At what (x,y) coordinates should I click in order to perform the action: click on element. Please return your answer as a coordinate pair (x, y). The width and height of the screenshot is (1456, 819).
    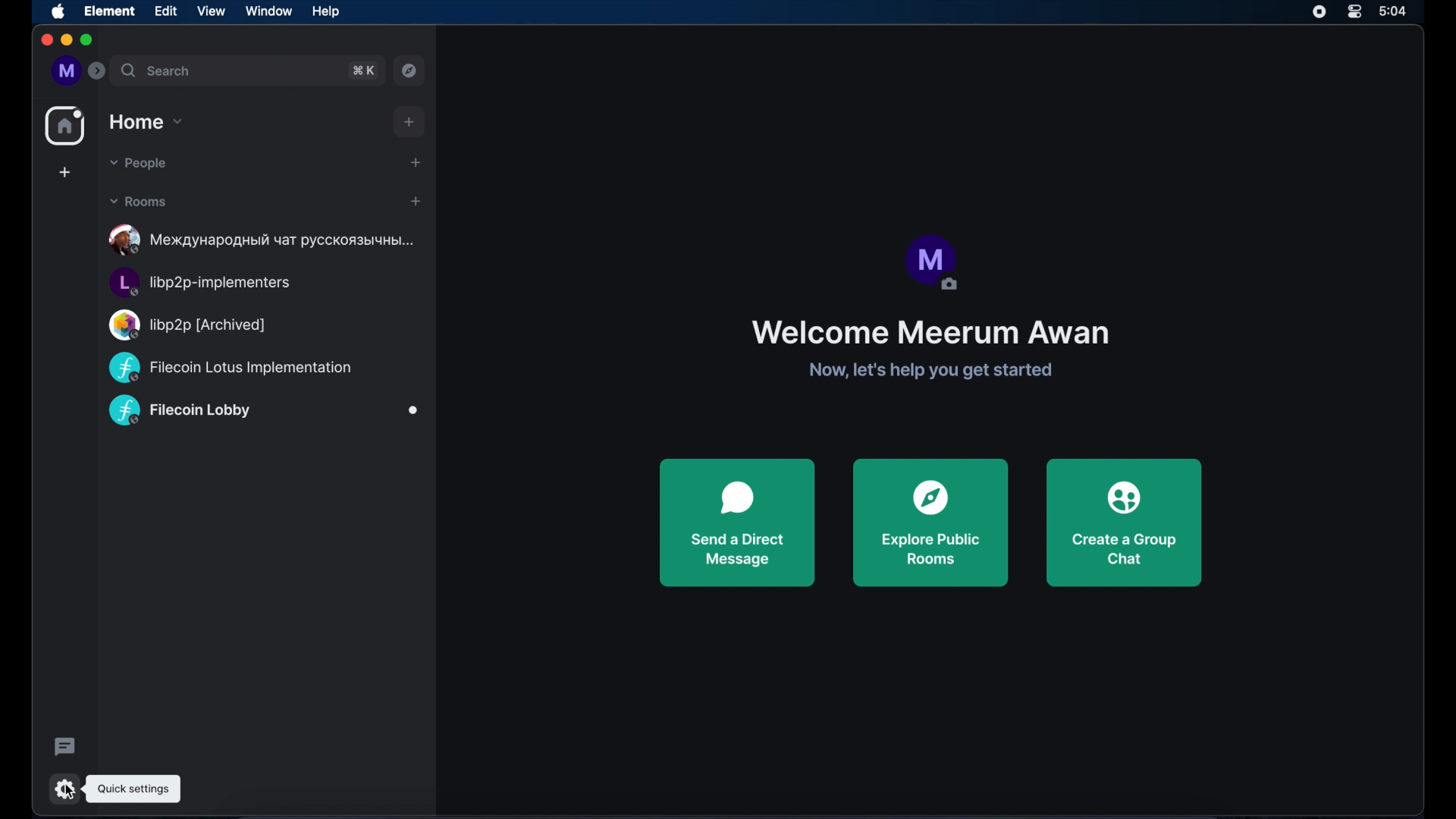
    Looking at the image, I should click on (110, 11).